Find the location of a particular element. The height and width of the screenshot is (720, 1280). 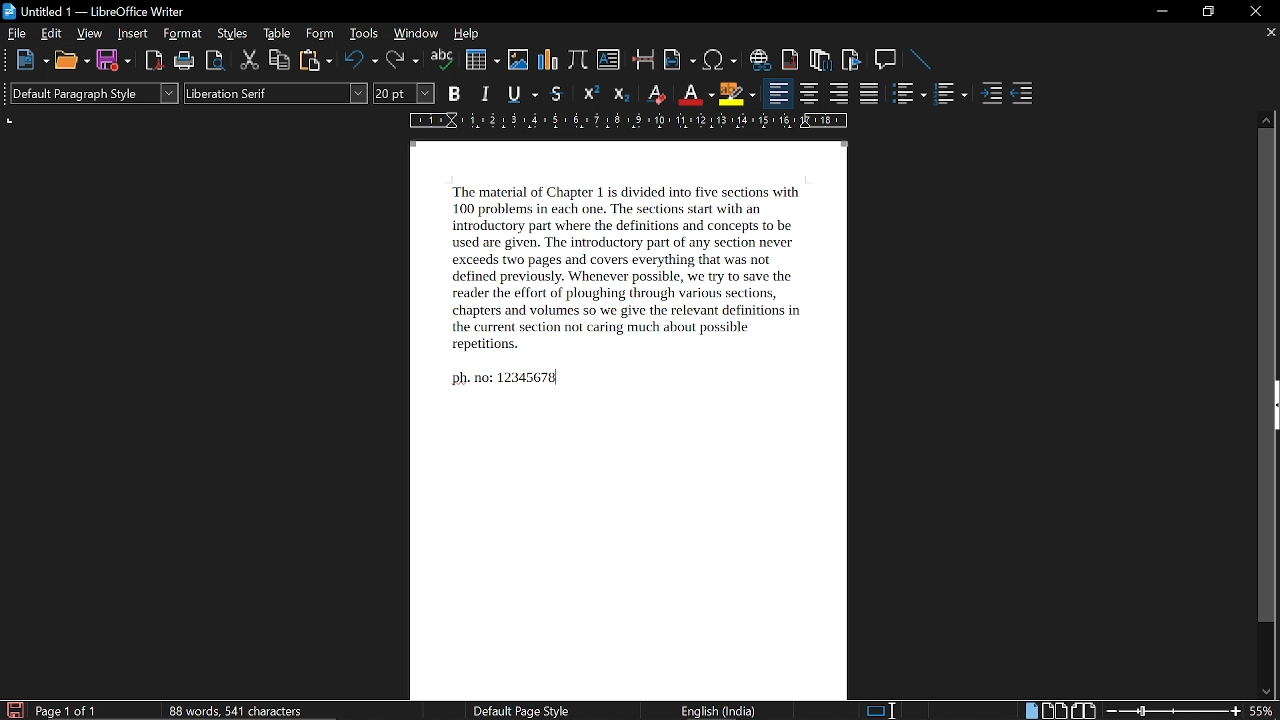

minimize is located at coordinates (1162, 12).